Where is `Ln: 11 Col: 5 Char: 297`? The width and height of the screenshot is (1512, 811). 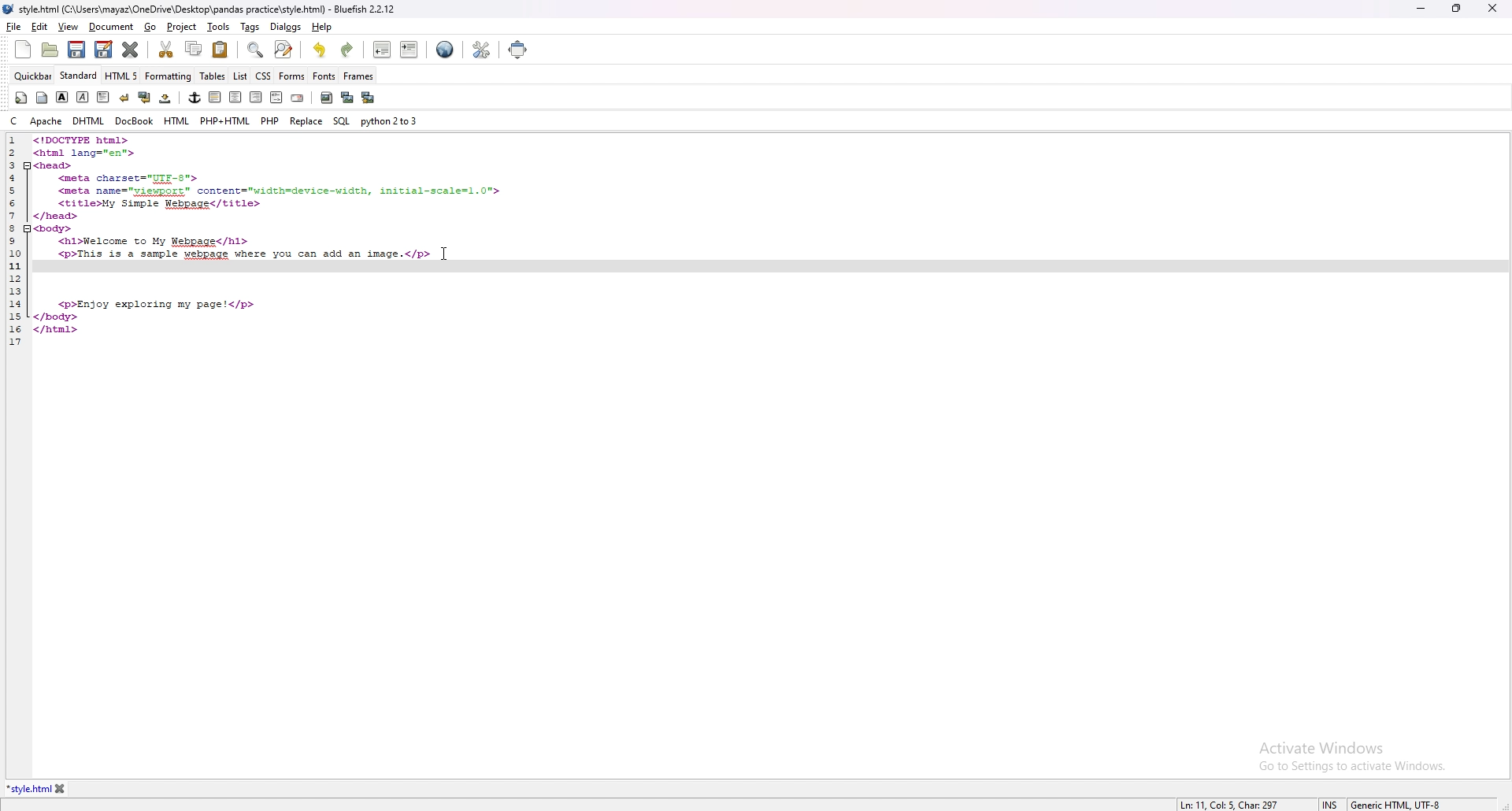 Ln: 11 Col: 5 Char: 297 is located at coordinates (1233, 804).